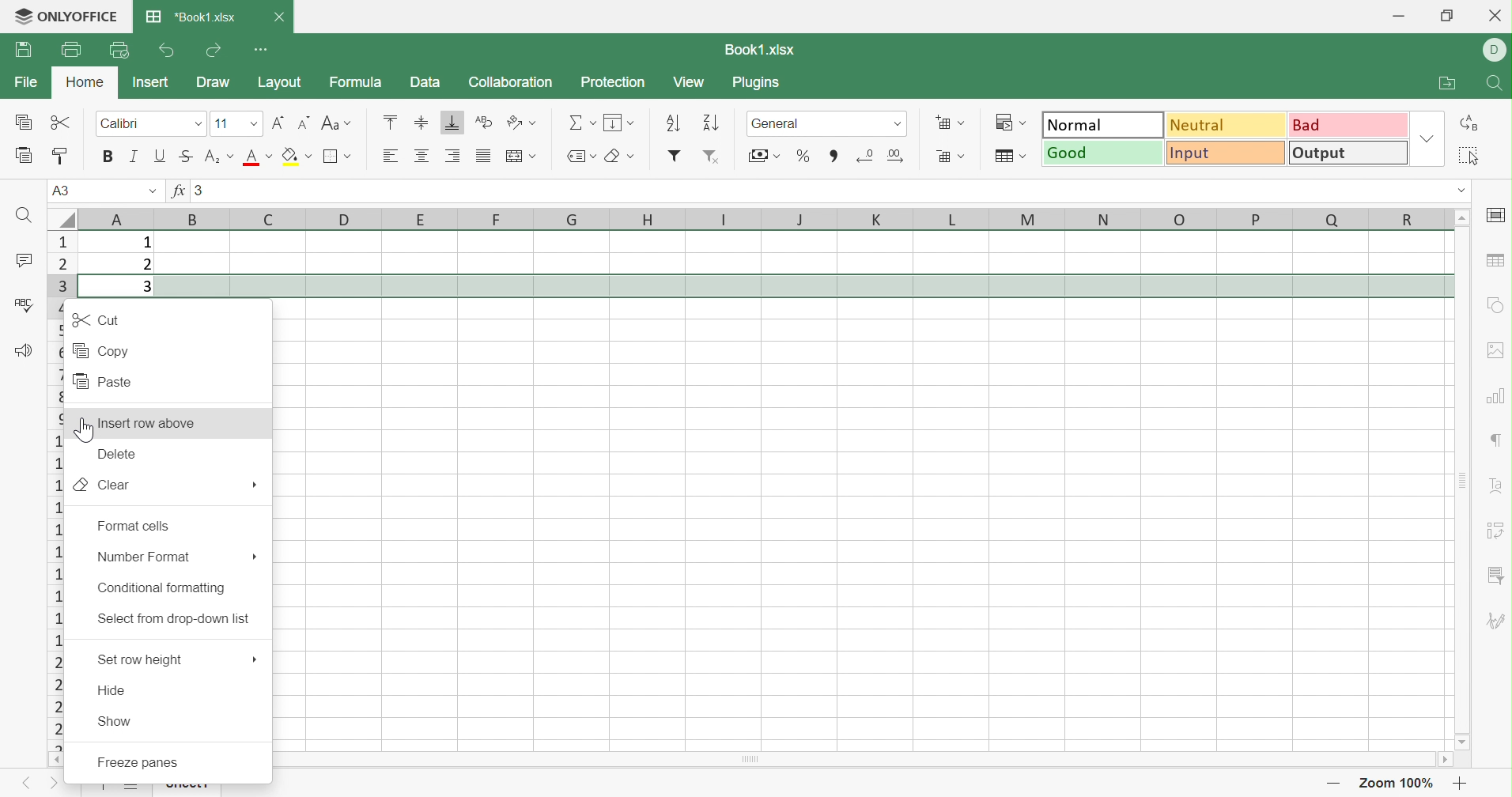  Describe the element at coordinates (1332, 784) in the screenshot. I see `Zoom out` at that location.